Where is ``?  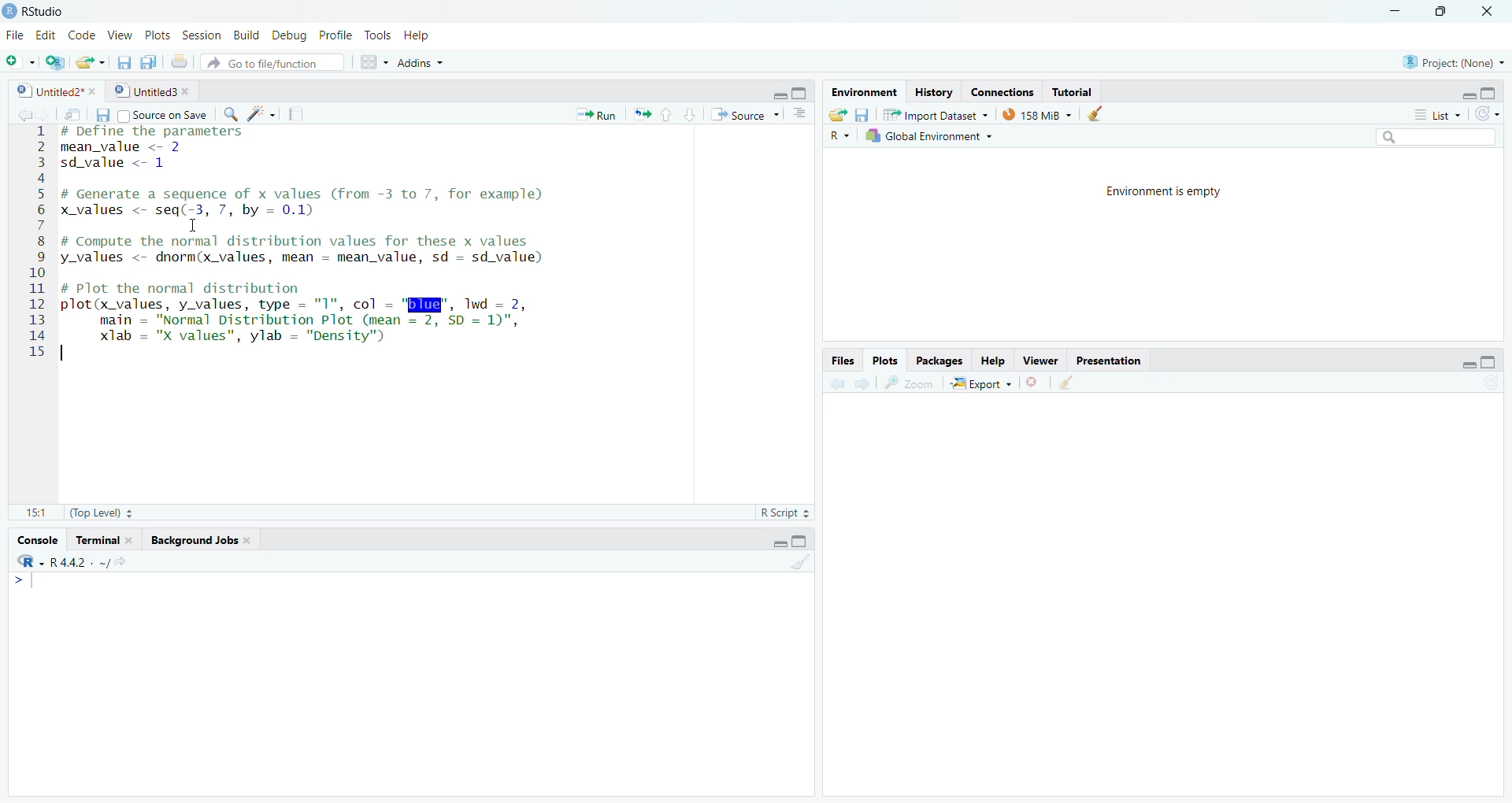
 is located at coordinates (835, 113).